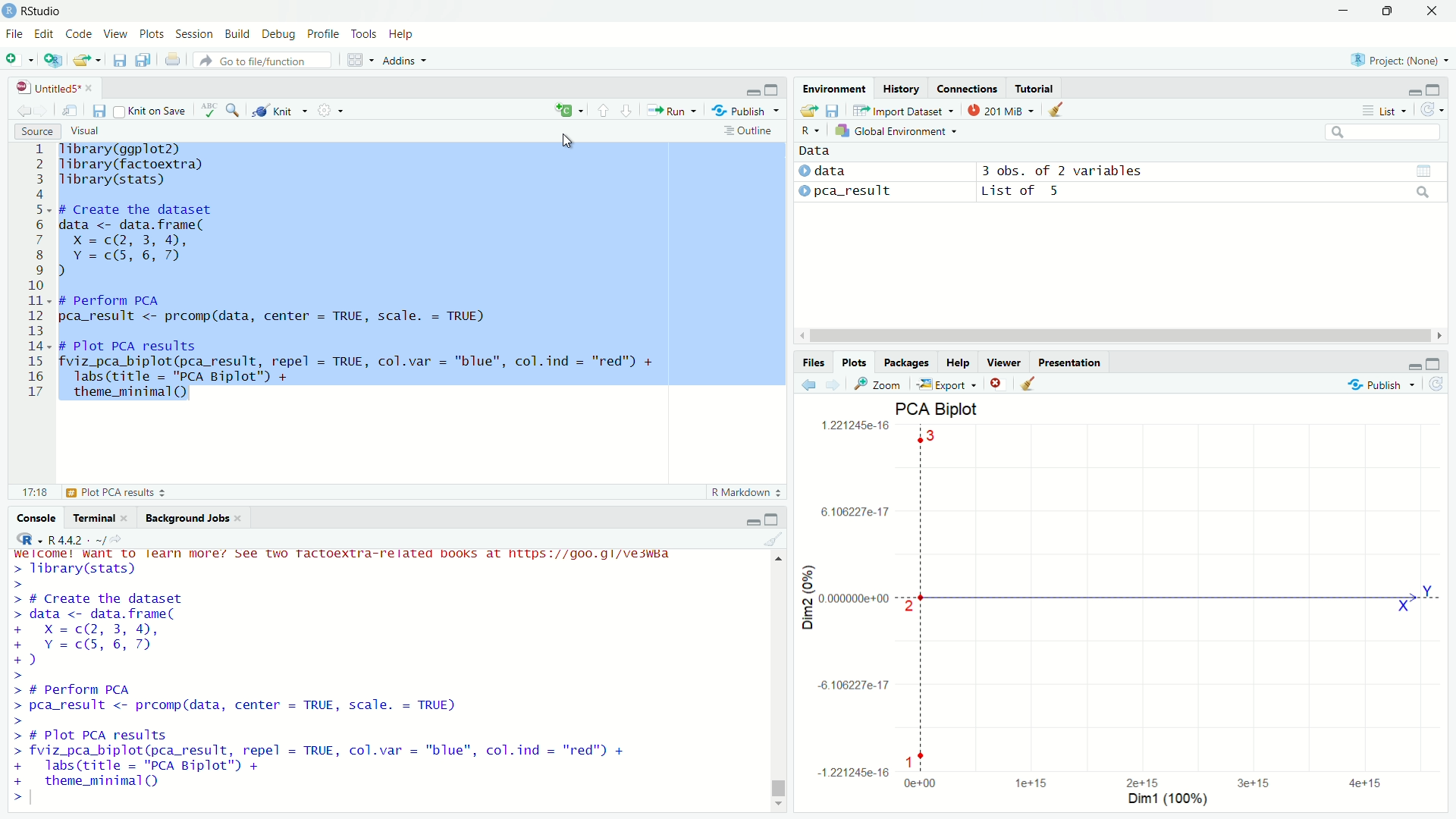  Describe the element at coordinates (27, 539) in the screenshot. I see `R language` at that location.